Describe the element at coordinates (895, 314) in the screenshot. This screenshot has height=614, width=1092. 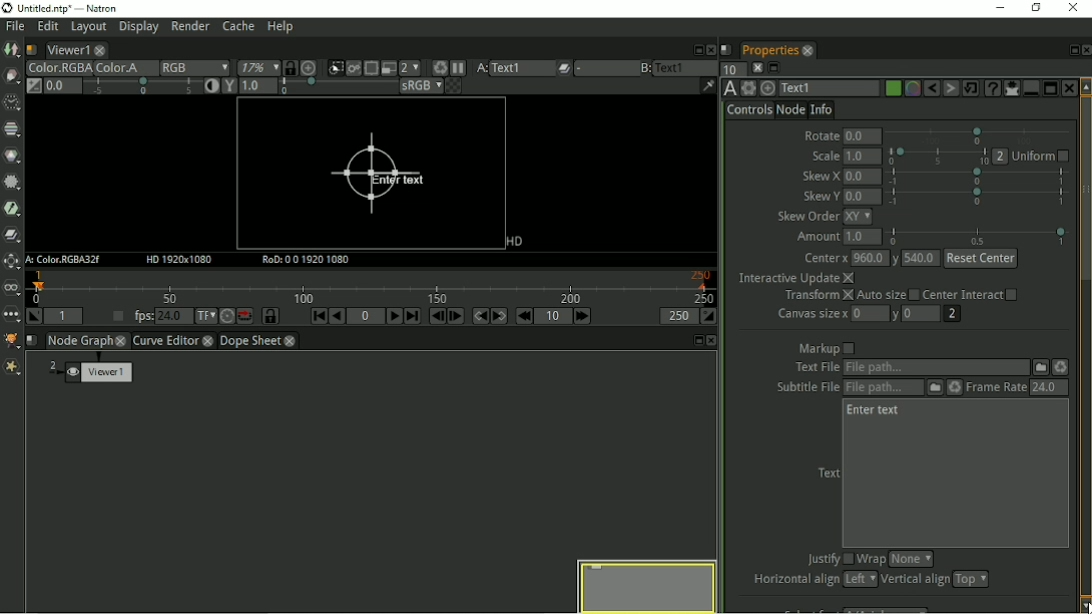
I see `y` at that location.